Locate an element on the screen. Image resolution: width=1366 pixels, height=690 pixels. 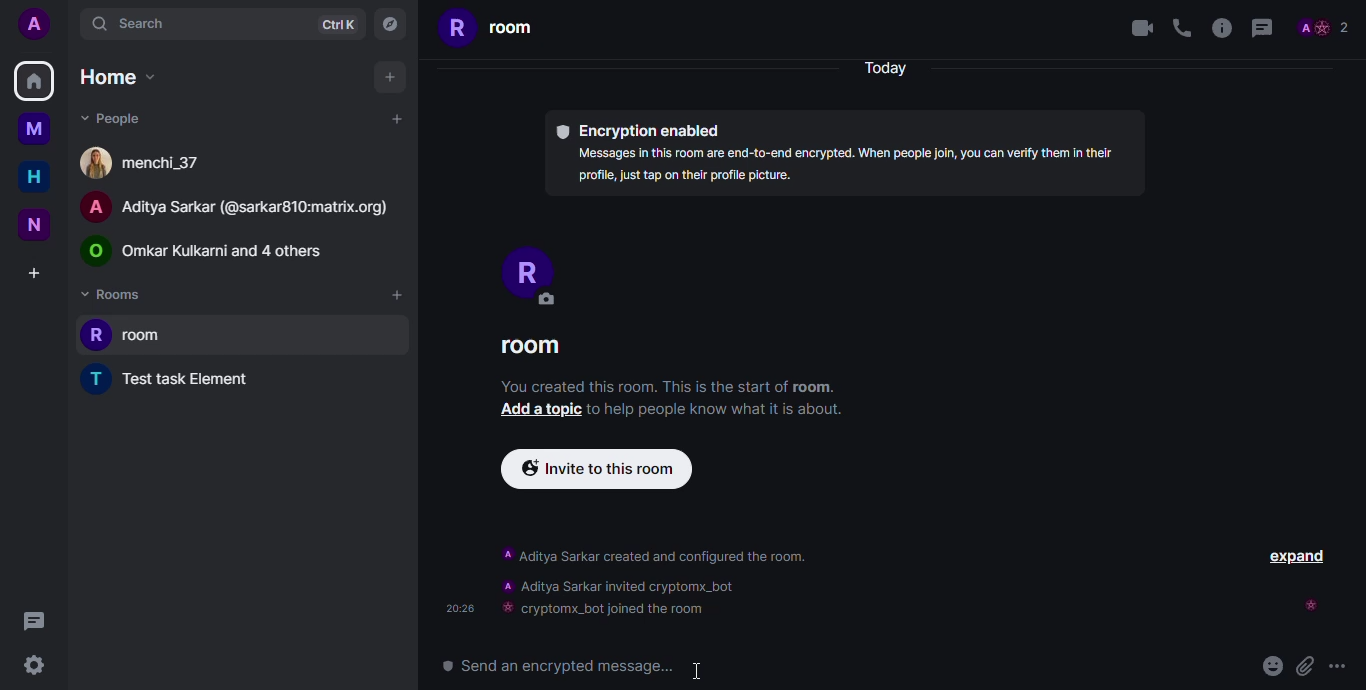
add is located at coordinates (398, 119).